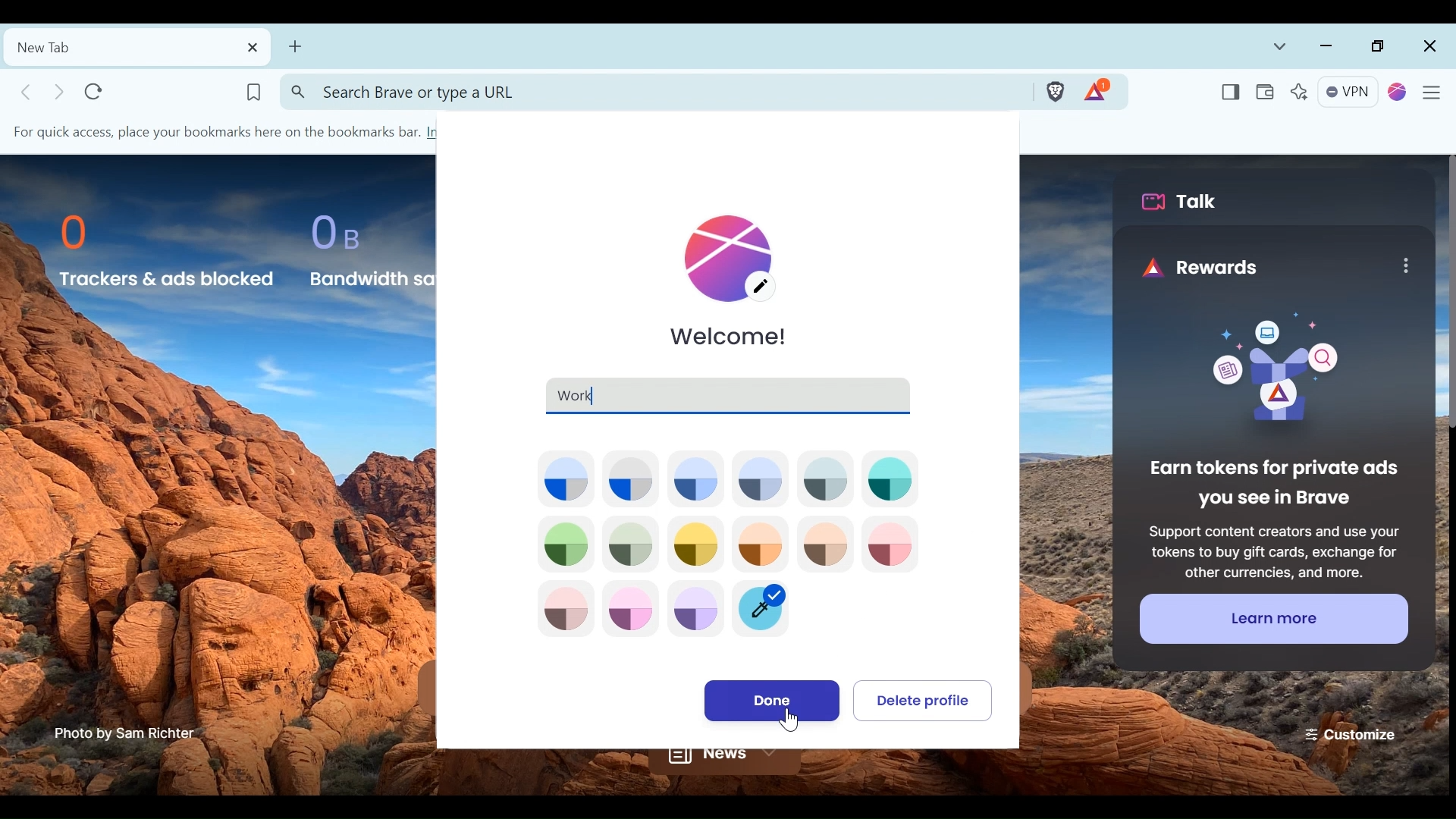 The height and width of the screenshot is (819, 1456). What do you see at coordinates (1436, 95) in the screenshot?
I see `Customize and Control Brave` at bounding box center [1436, 95].